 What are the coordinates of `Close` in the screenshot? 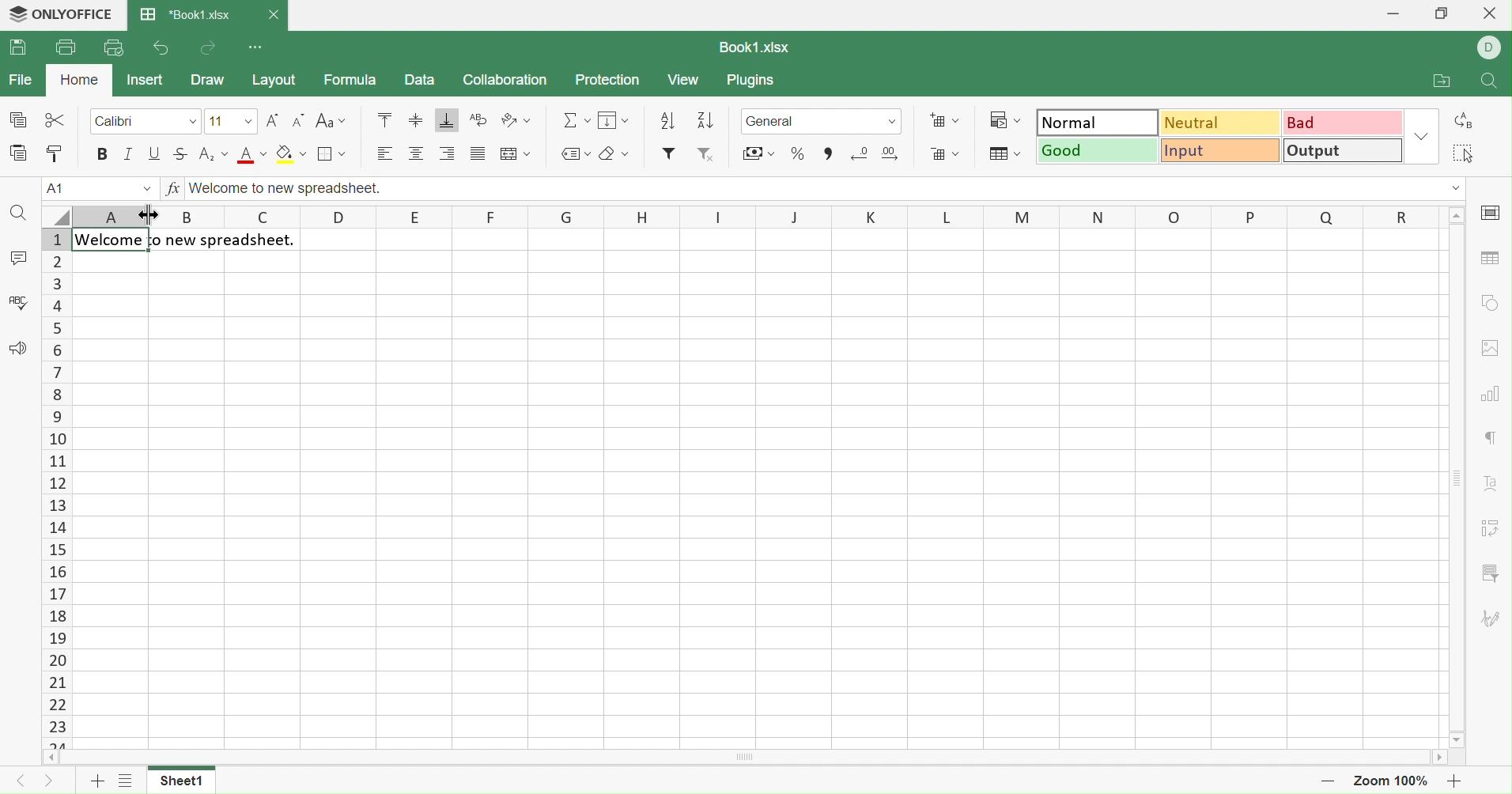 It's located at (1487, 16).